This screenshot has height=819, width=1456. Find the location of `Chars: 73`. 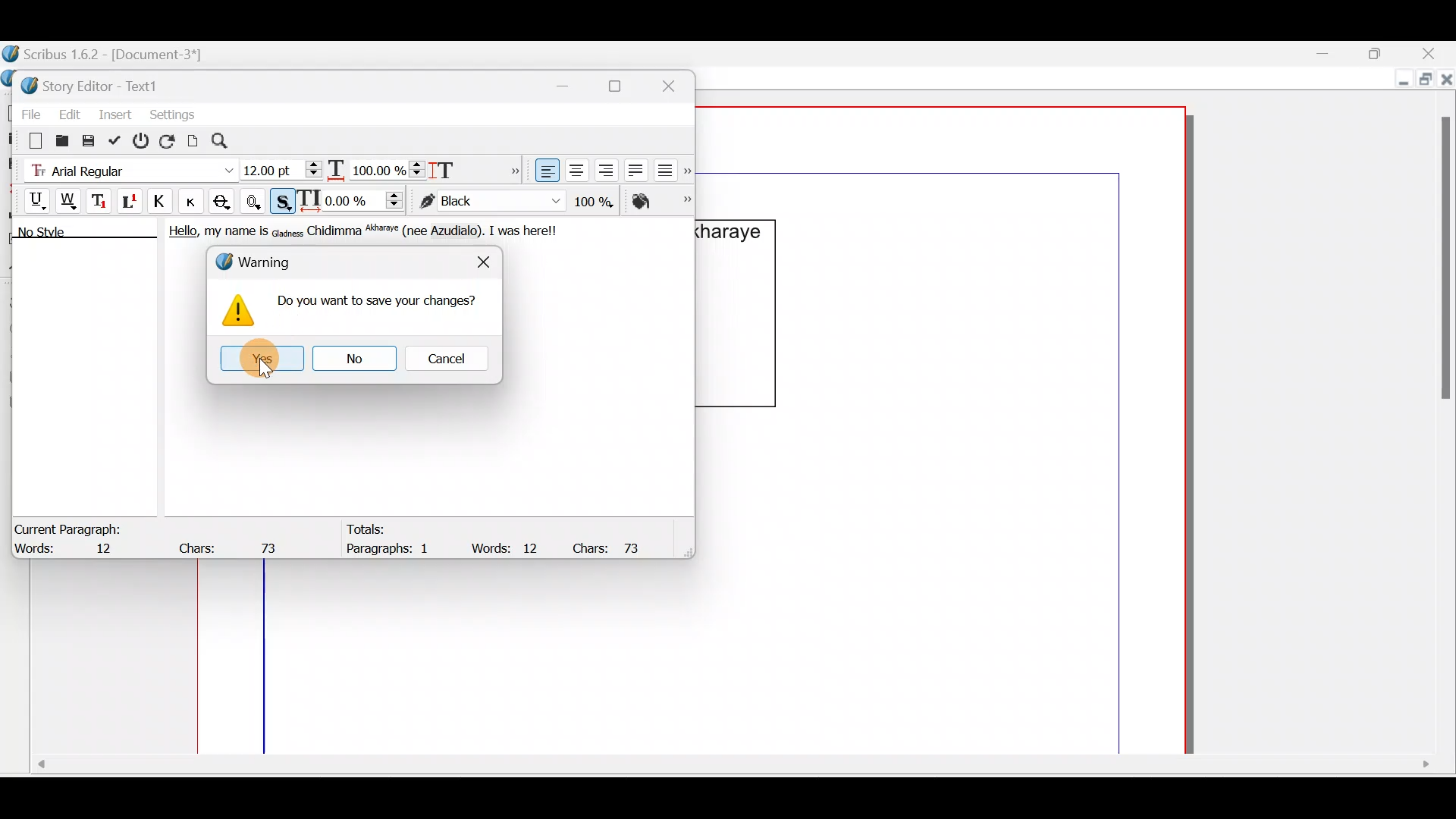

Chars: 73 is located at coordinates (232, 544).